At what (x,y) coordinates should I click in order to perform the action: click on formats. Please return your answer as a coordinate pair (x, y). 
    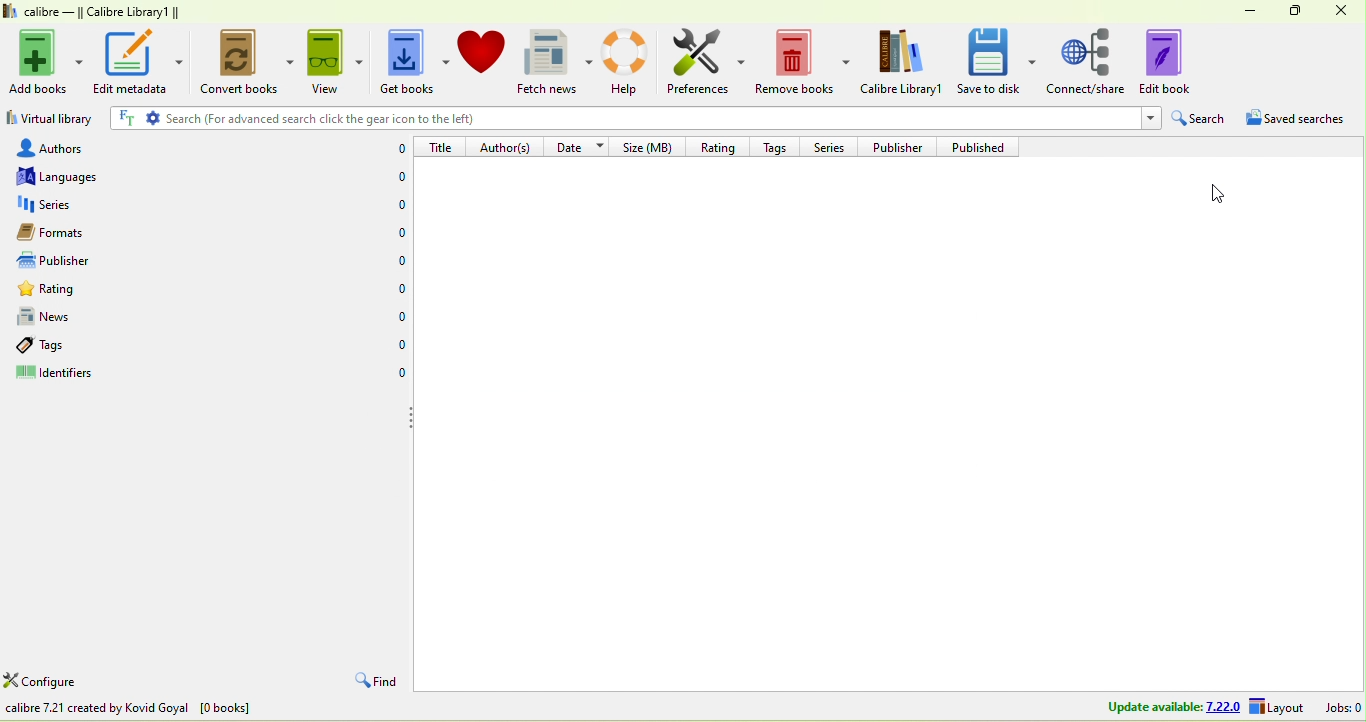
    Looking at the image, I should click on (75, 232).